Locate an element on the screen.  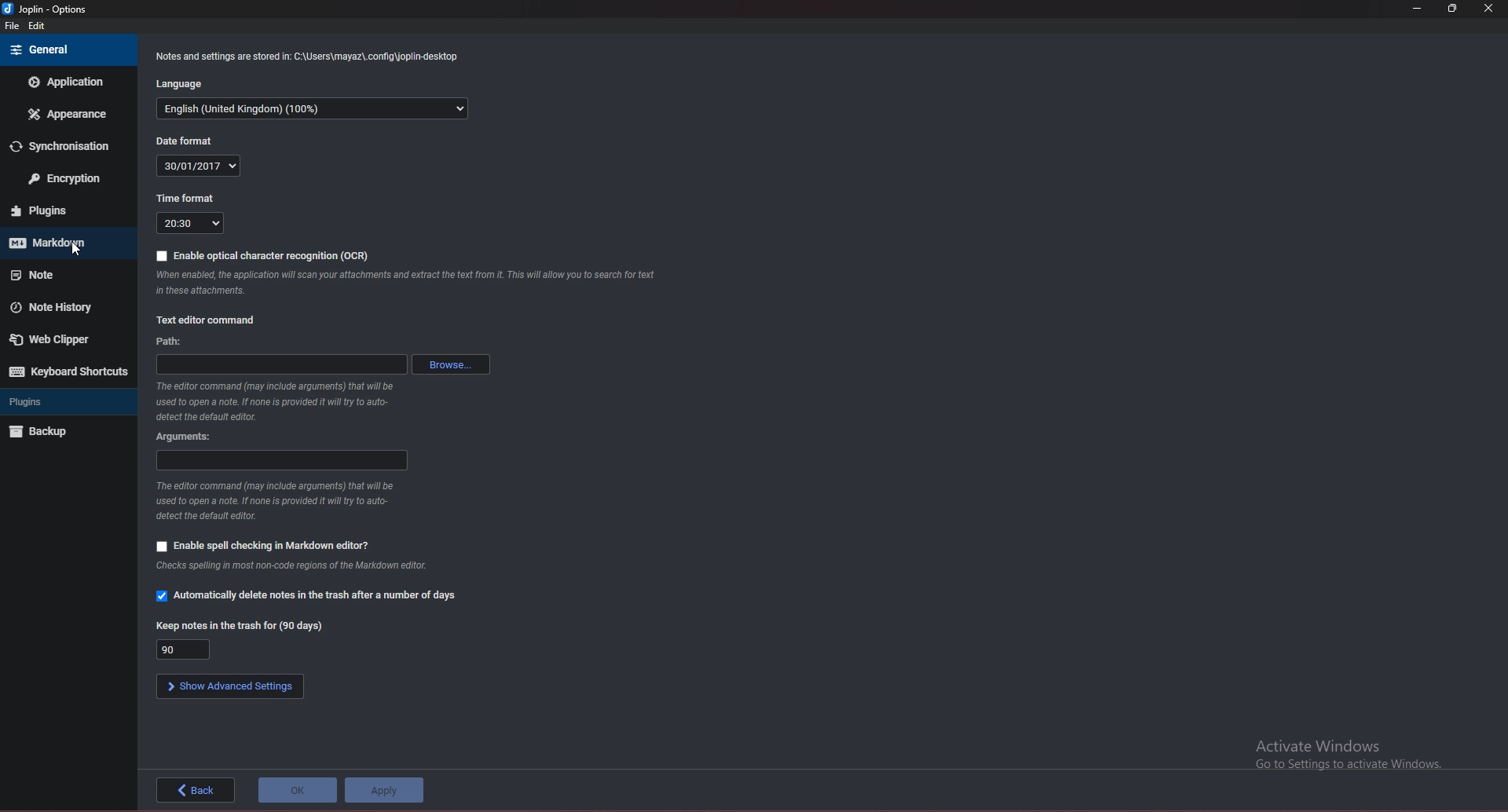
enable ocr is located at coordinates (263, 255).